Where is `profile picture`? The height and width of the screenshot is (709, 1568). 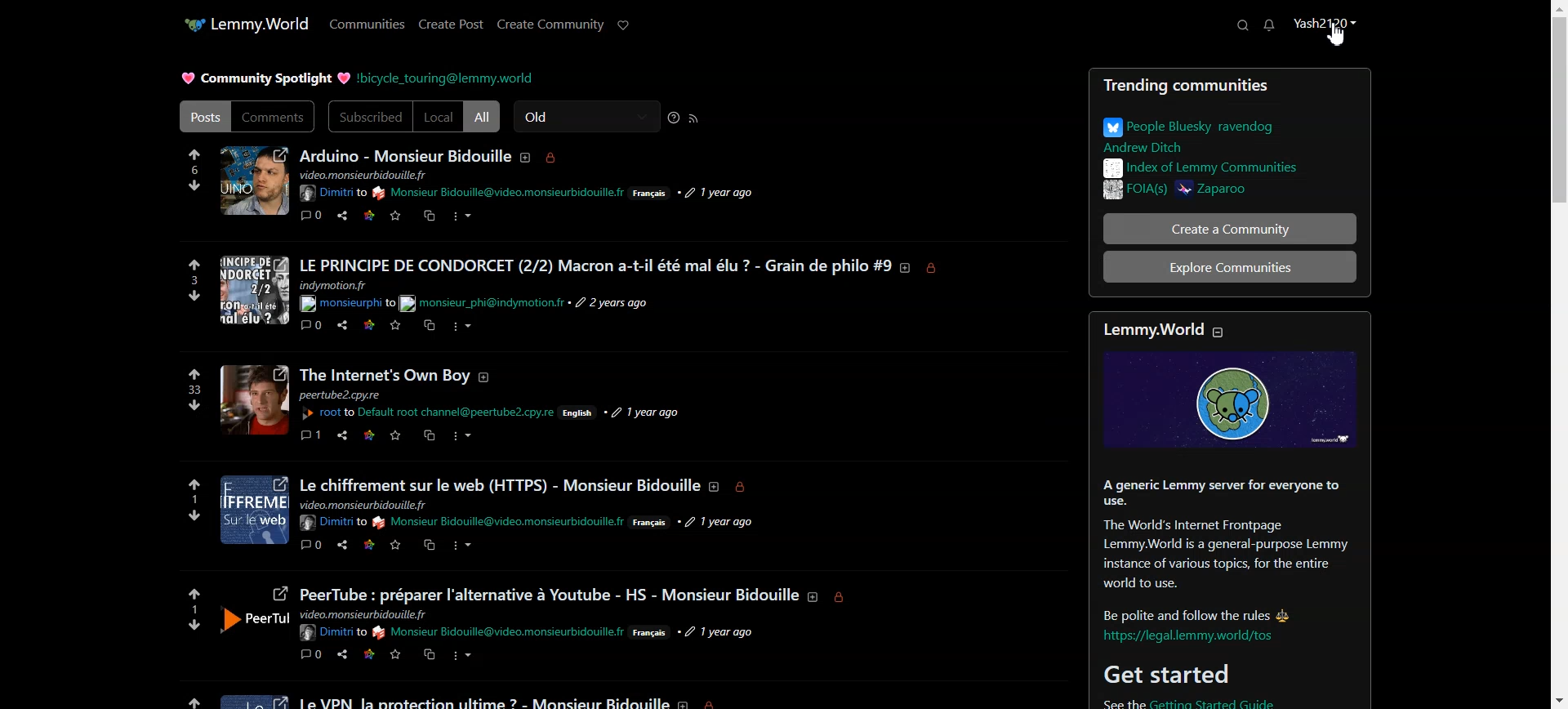 profile picture is located at coordinates (254, 291).